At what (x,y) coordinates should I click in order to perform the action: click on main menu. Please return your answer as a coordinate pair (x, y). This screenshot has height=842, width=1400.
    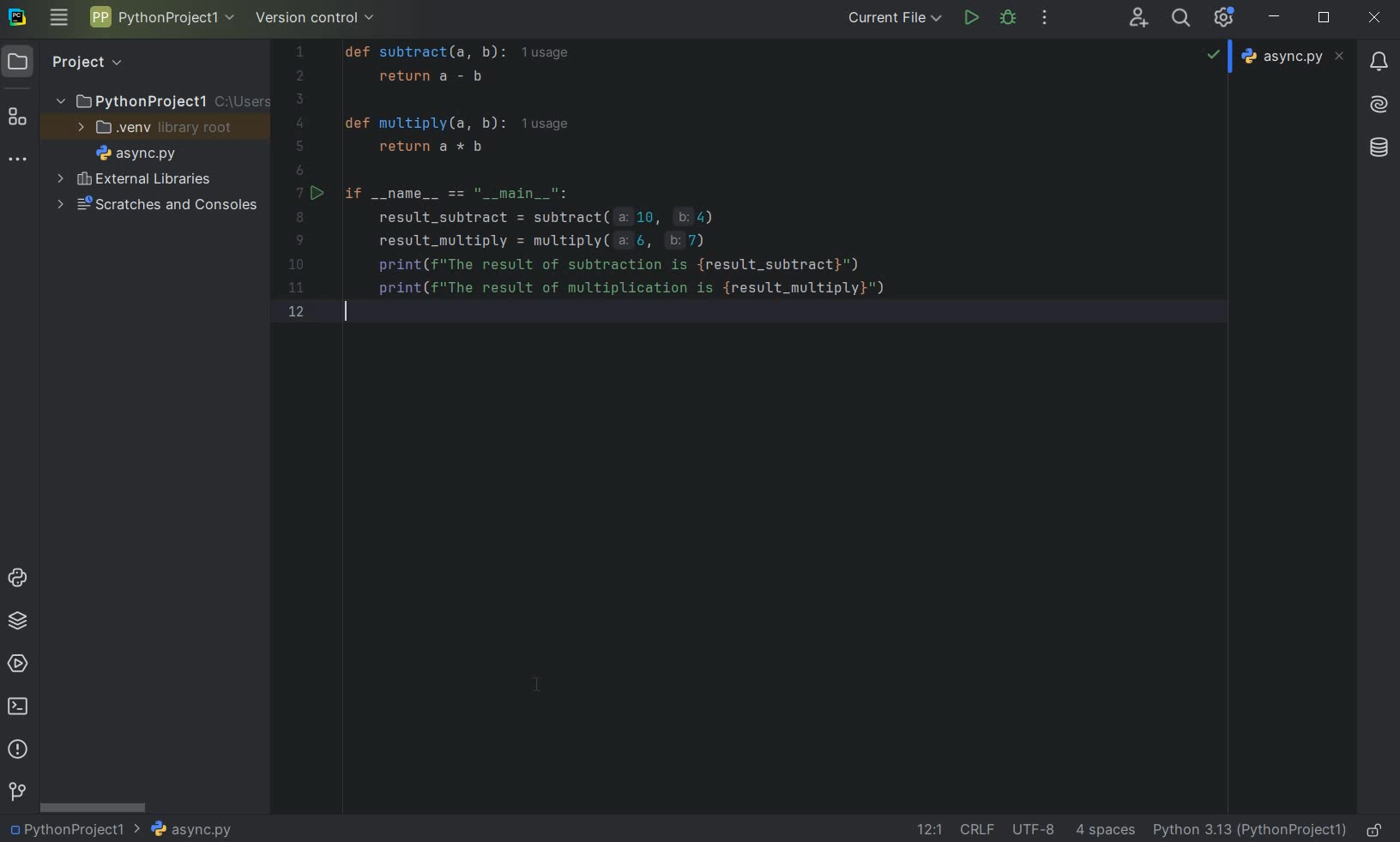
    Looking at the image, I should click on (60, 18).